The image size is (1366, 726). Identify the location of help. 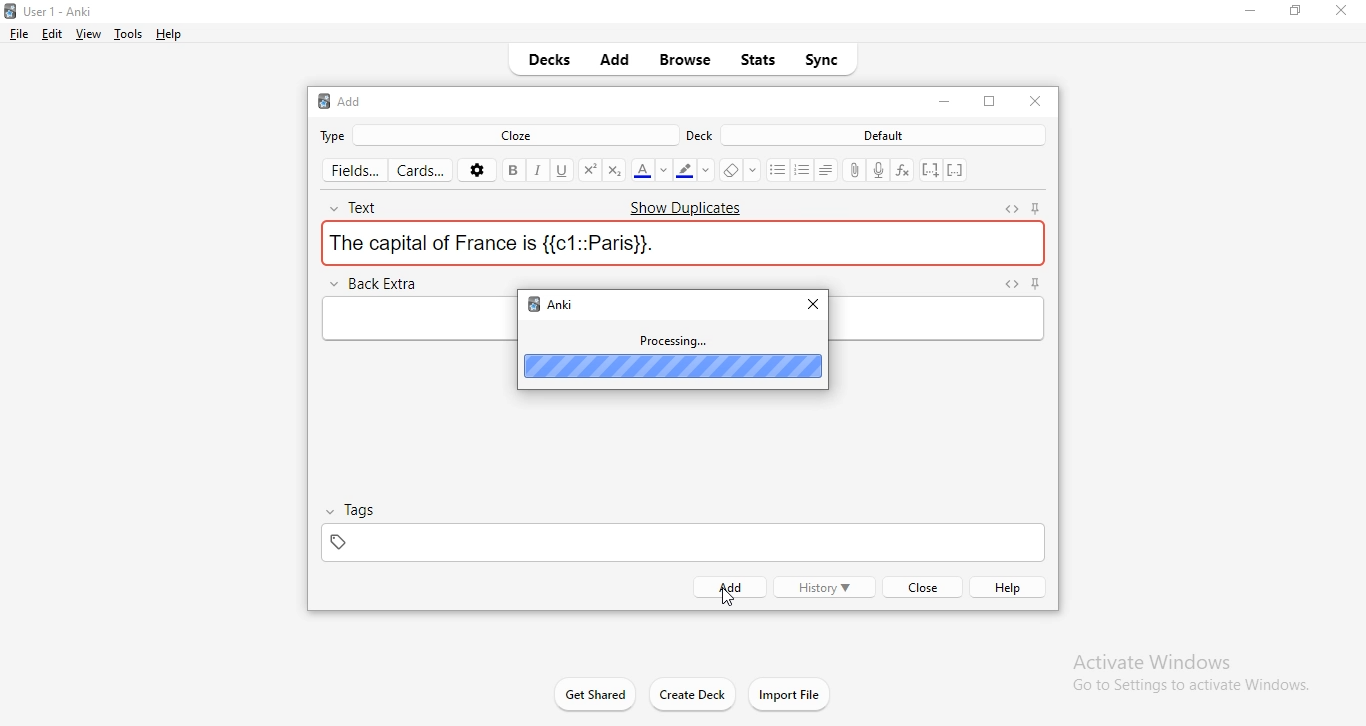
(170, 35).